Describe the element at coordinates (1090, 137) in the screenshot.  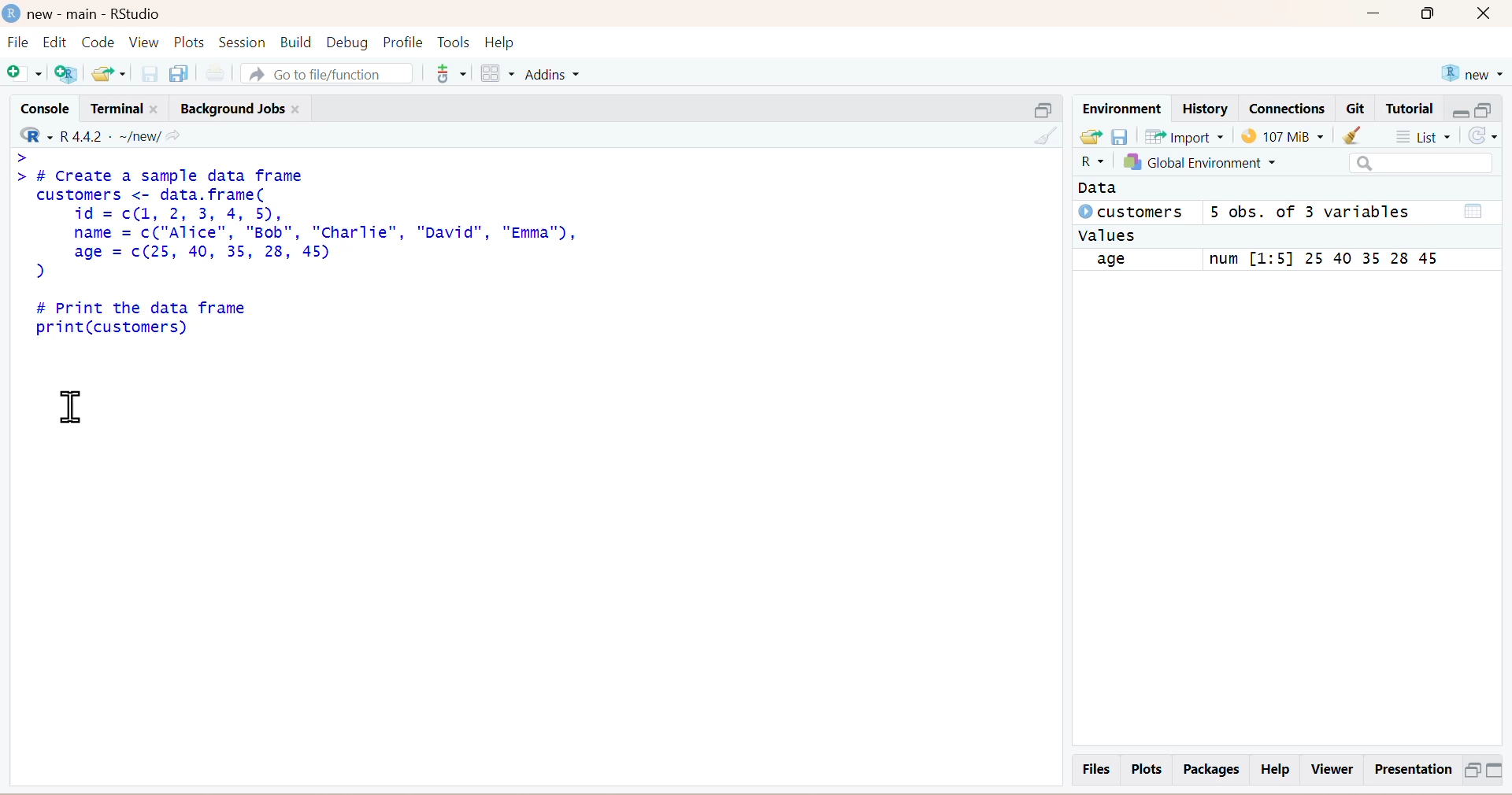
I see `Load workspace` at that location.